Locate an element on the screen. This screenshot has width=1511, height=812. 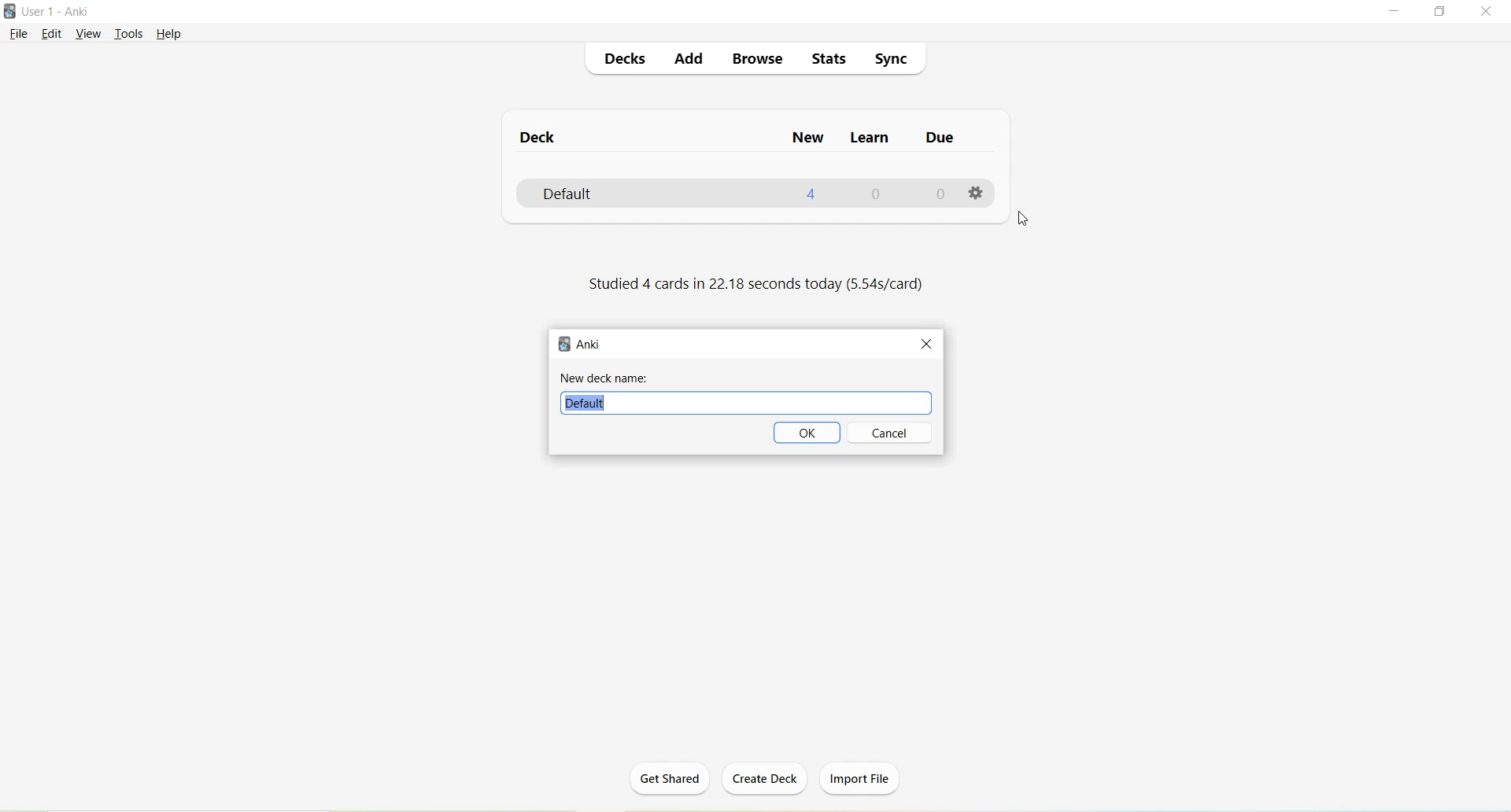
Close is located at coordinates (1489, 13).